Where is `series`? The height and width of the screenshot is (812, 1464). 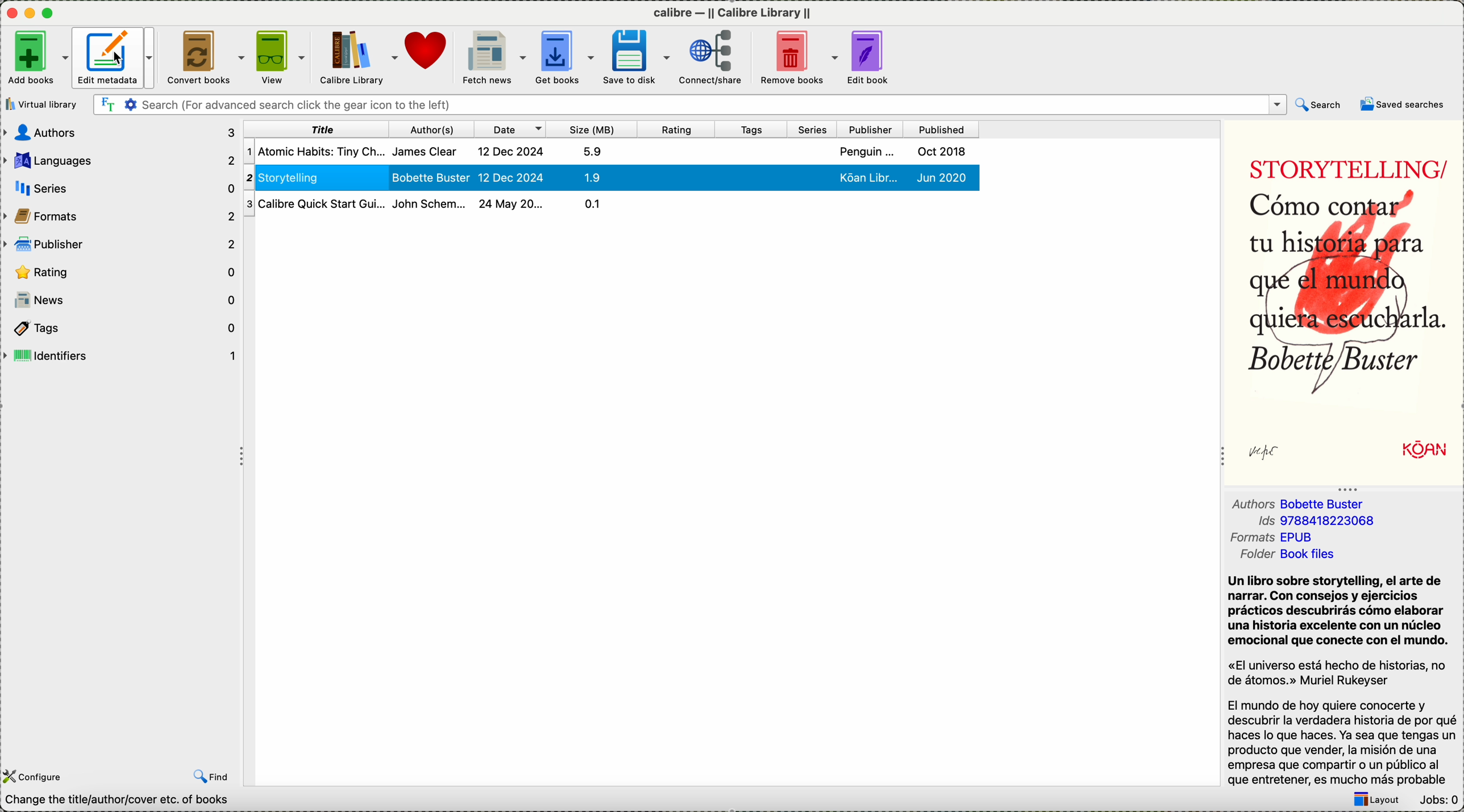
series is located at coordinates (122, 187).